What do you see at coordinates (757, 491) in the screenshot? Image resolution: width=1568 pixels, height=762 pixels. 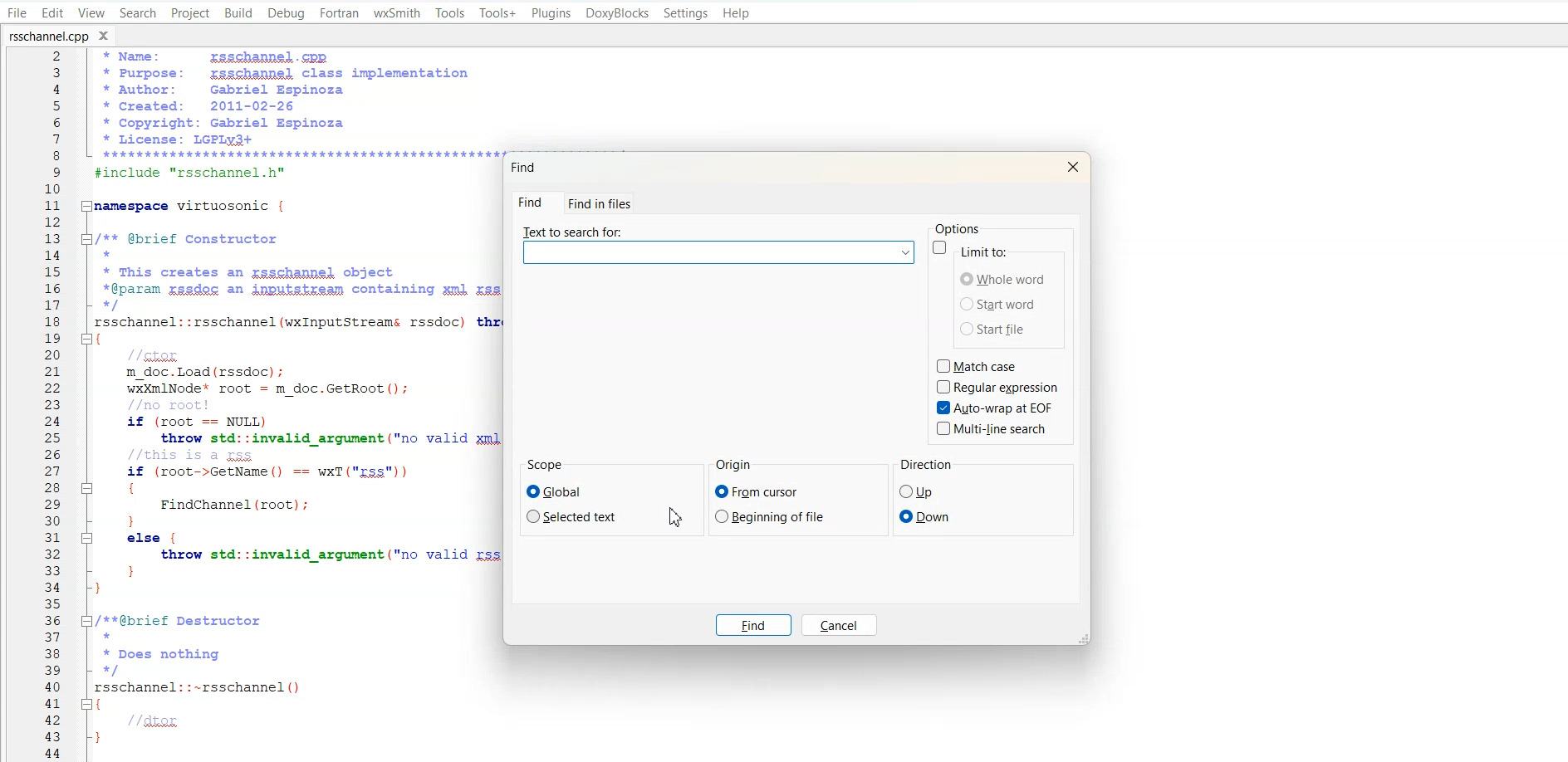 I see `From cursor` at bounding box center [757, 491].